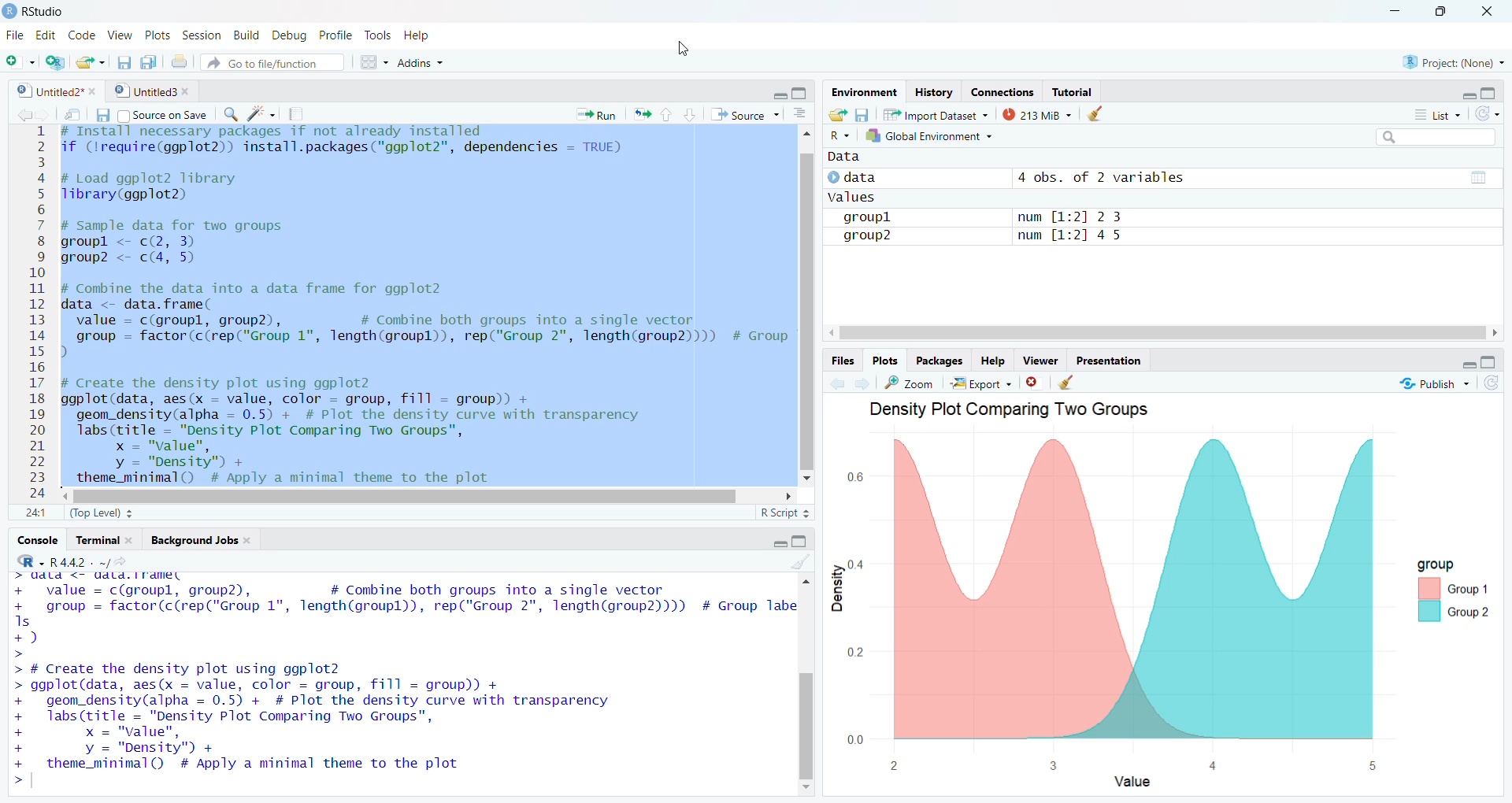 The image size is (1512, 803). Describe the element at coordinates (37, 135) in the screenshot. I see `1` at that location.